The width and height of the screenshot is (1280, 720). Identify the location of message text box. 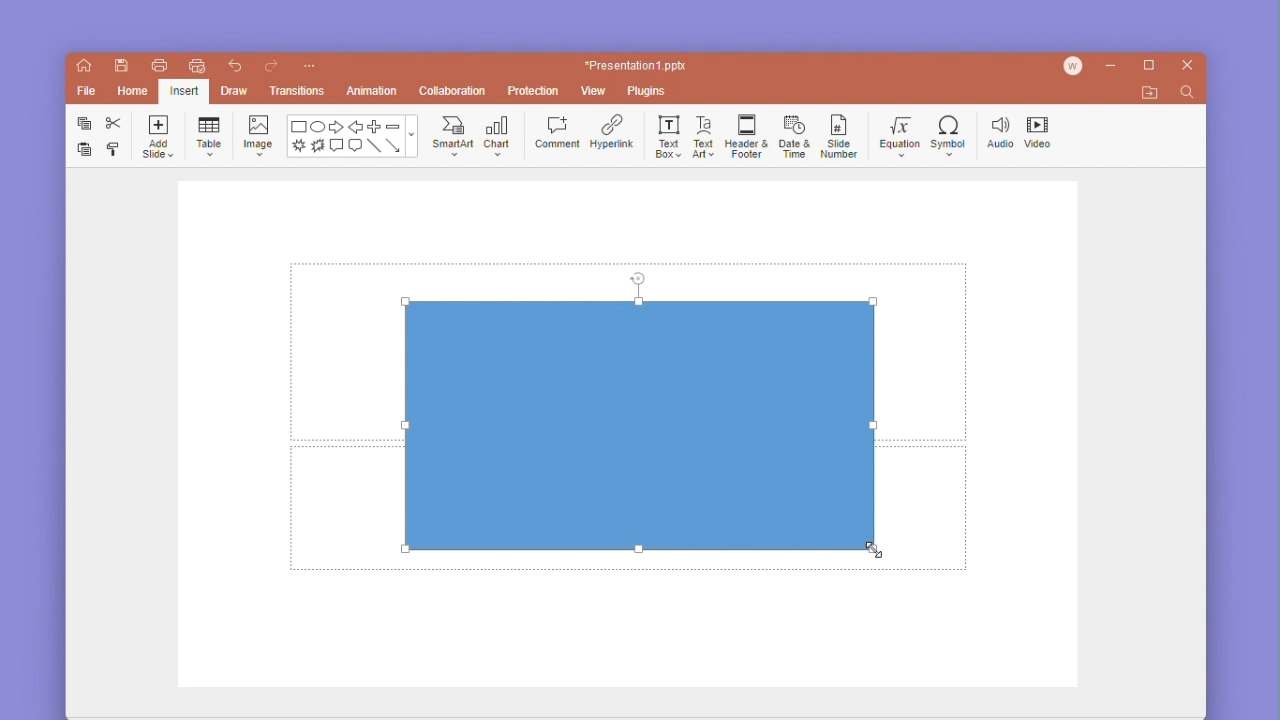
(355, 147).